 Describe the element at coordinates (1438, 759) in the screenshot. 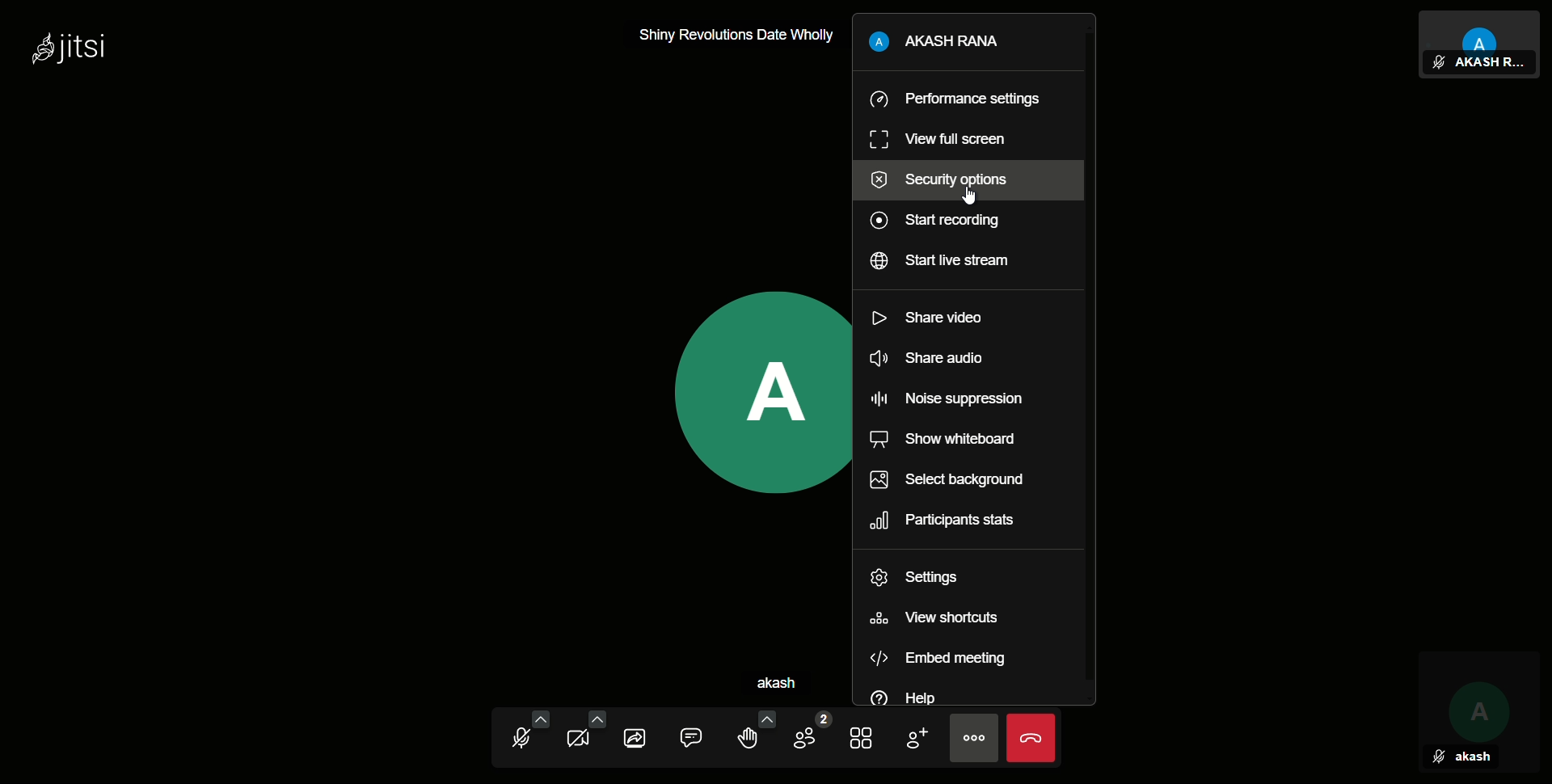

I see `mute` at that location.